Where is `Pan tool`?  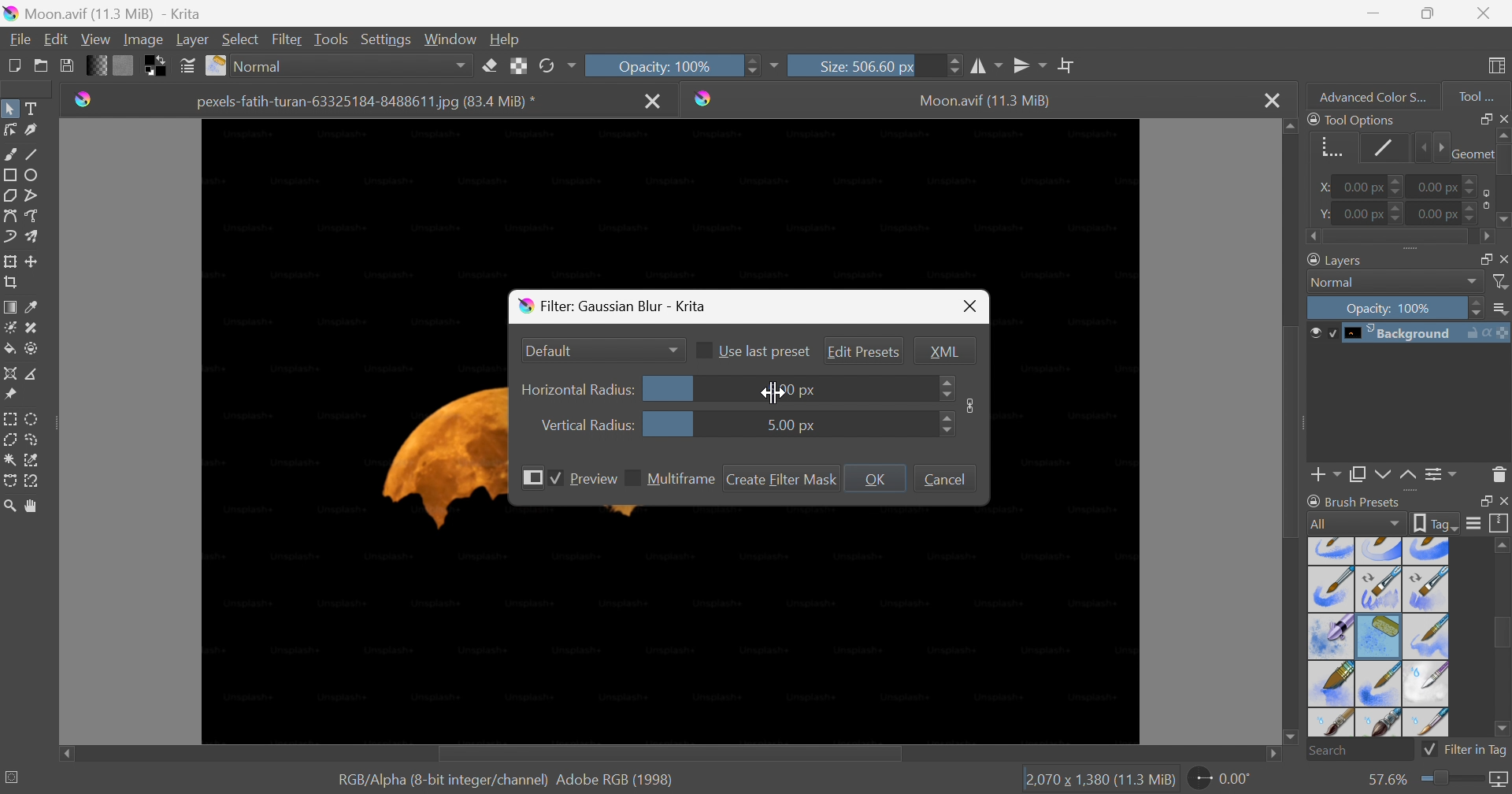 Pan tool is located at coordinates (35, 506).